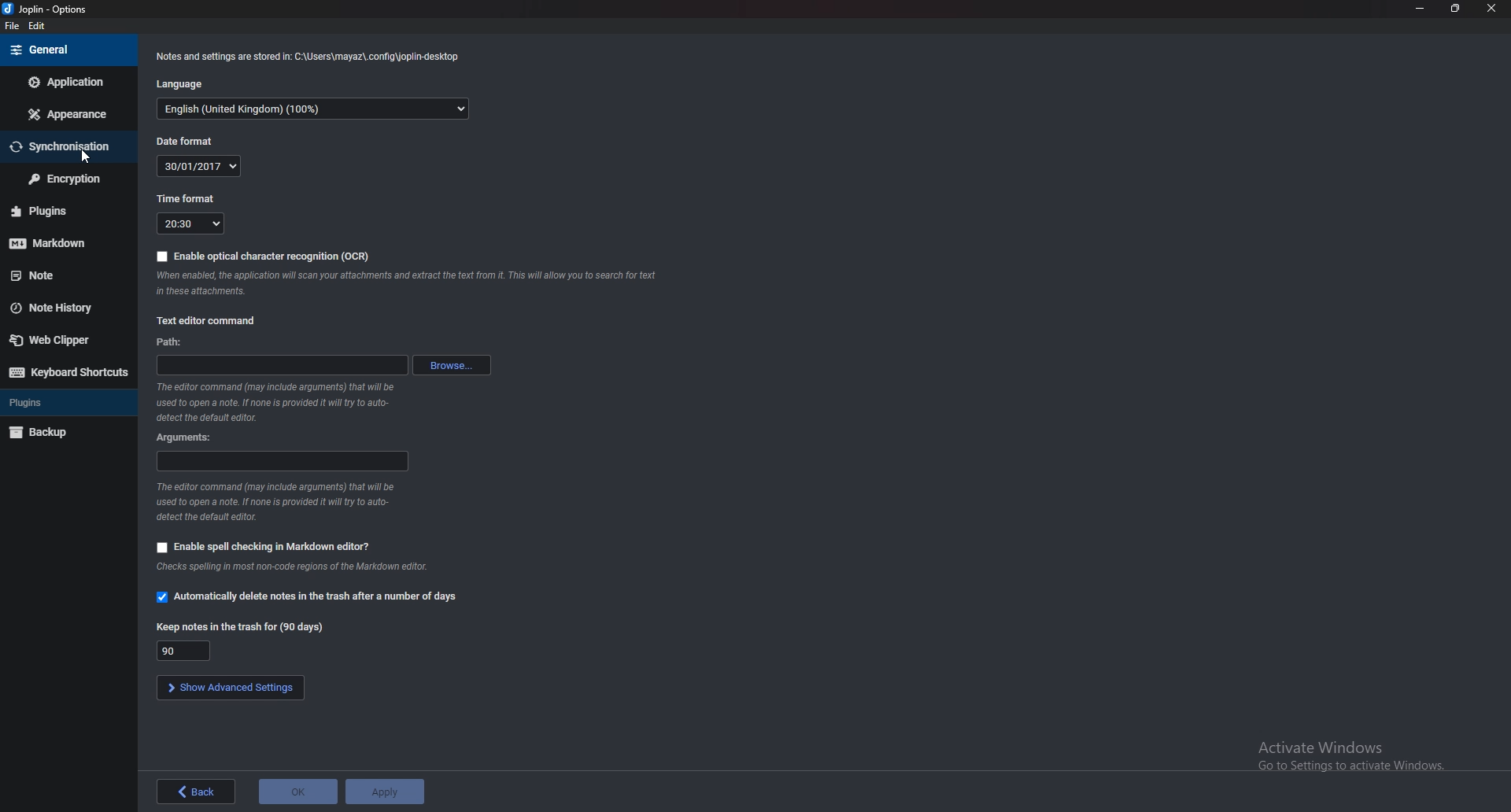 This screenshot has width=1511, height=812. Describe the element at coordinates (68, 178) in the screenshot. I see `encryption` at that location.